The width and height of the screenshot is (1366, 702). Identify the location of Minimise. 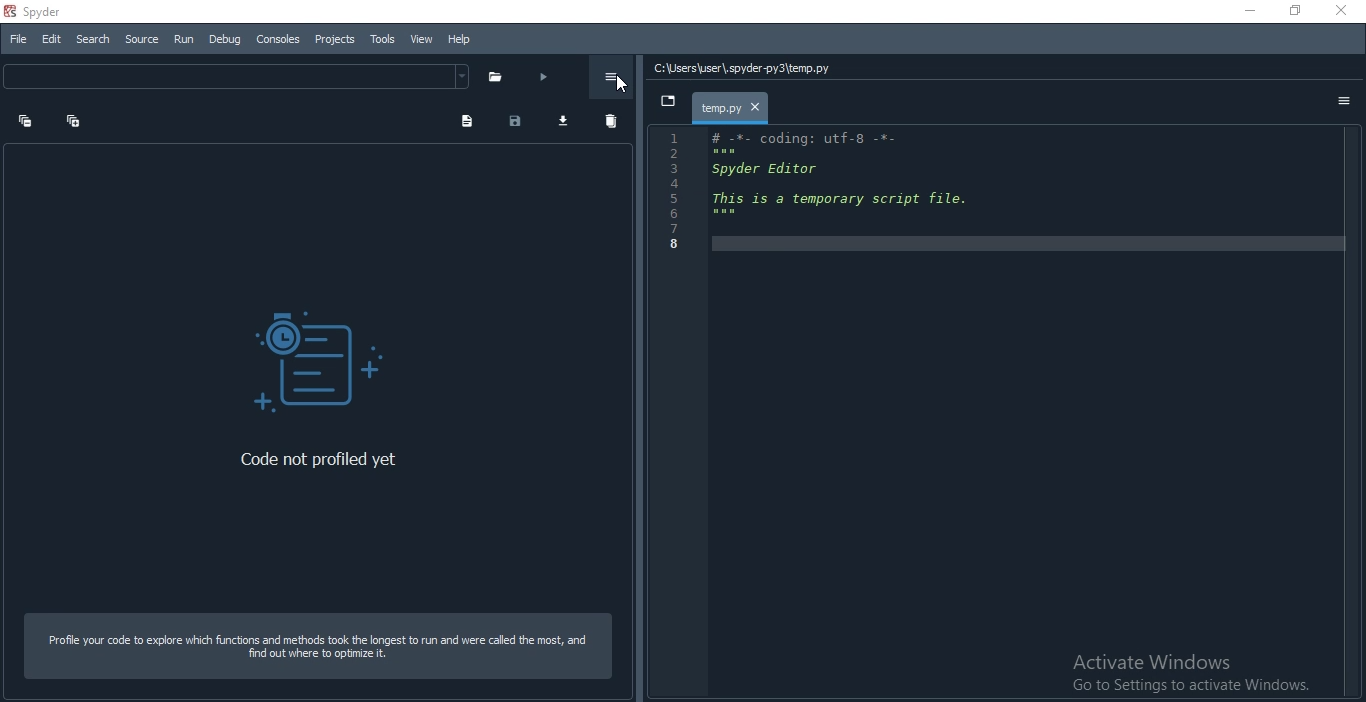
(1242, 11).